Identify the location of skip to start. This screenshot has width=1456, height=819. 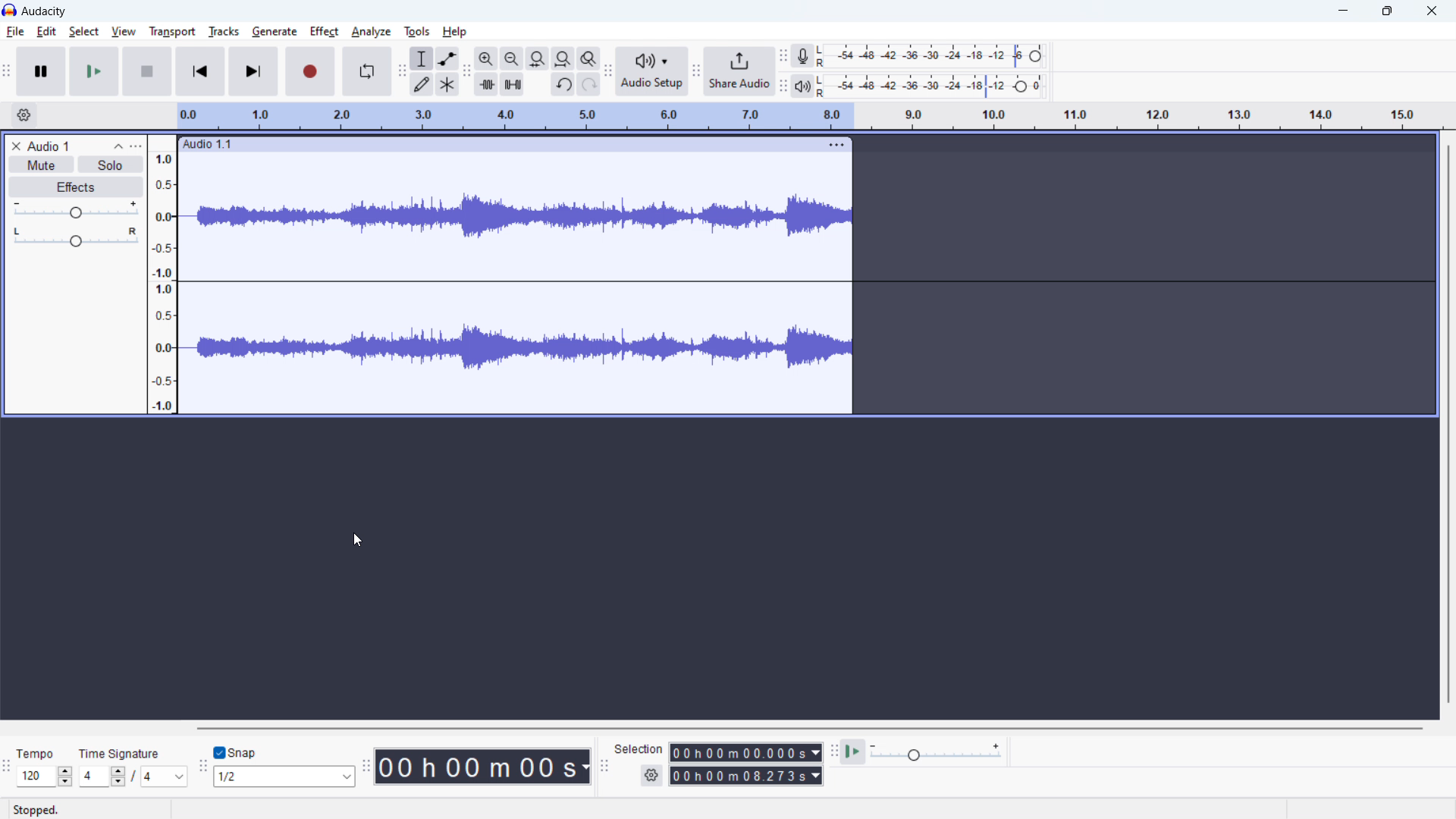
(201, 71).